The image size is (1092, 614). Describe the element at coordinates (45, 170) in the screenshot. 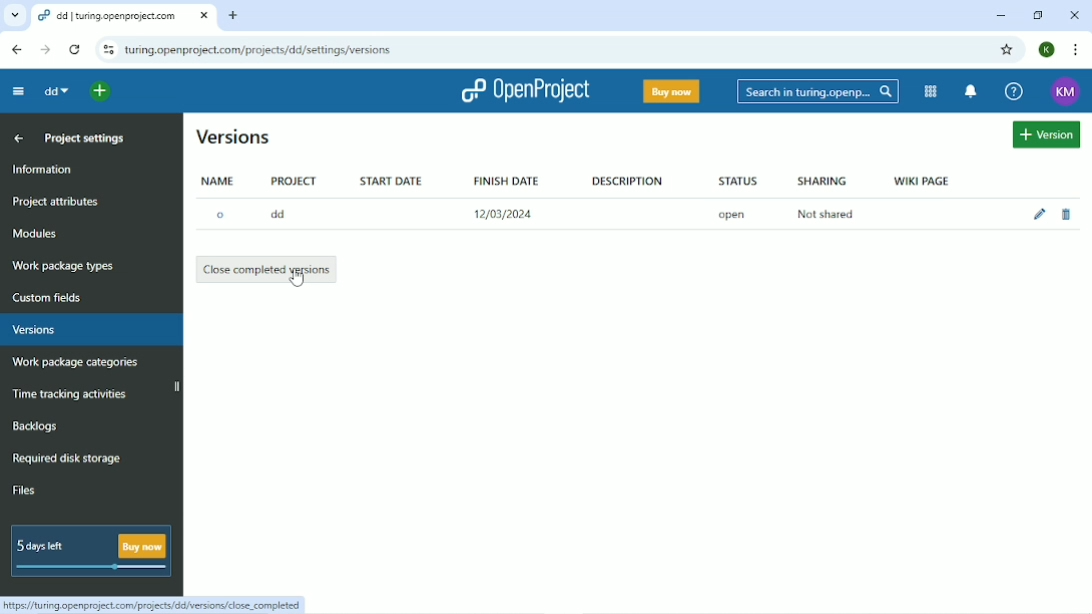

I see `Information` at that location.